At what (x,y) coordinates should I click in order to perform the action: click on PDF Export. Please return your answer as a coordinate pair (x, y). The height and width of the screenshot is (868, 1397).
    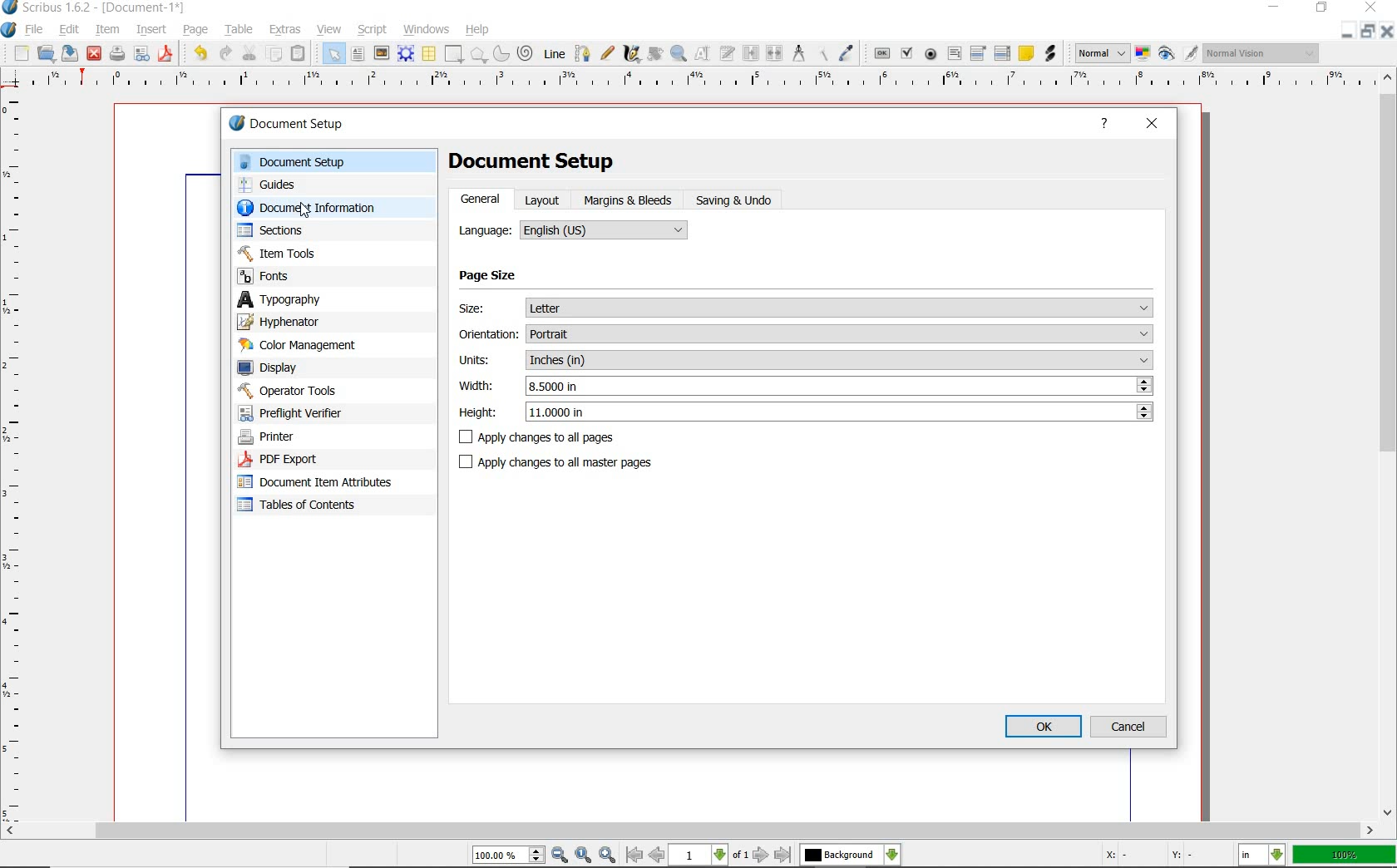
    Looking at the image, I should click on (308, 459).